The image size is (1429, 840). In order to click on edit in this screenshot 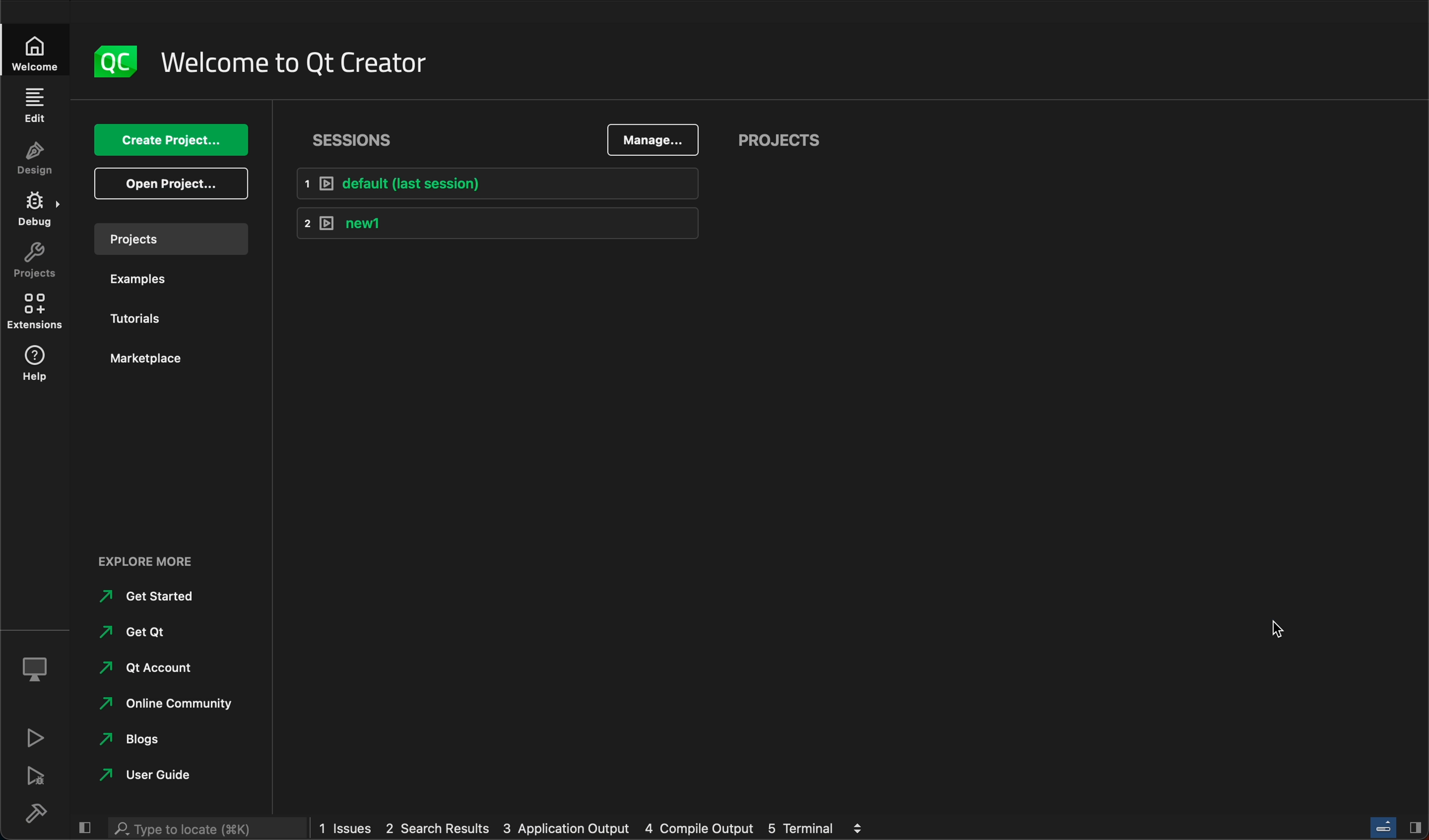, I will do `click(35, 105)`.